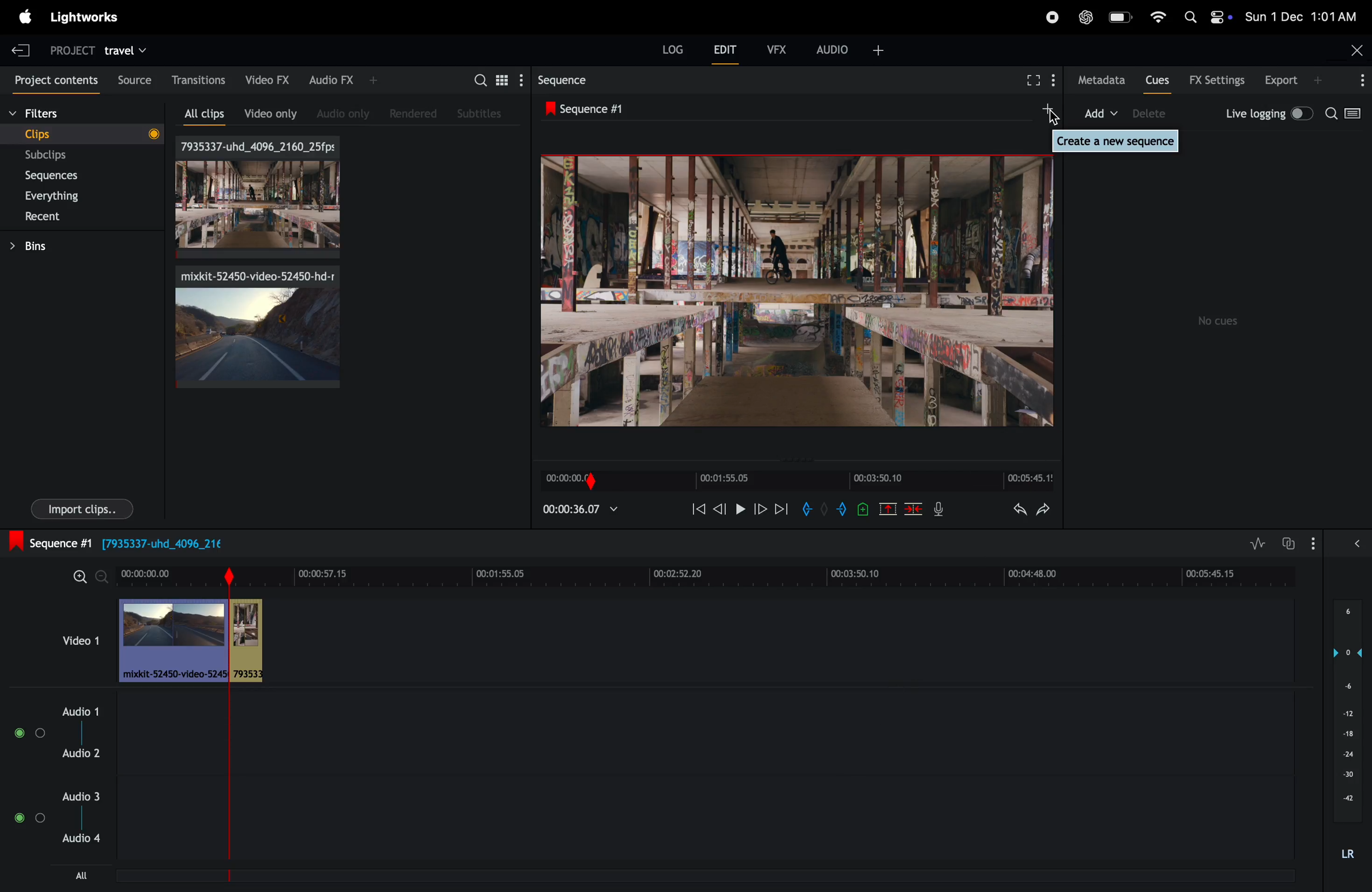  I want to click on Audio, so click(26, 734).